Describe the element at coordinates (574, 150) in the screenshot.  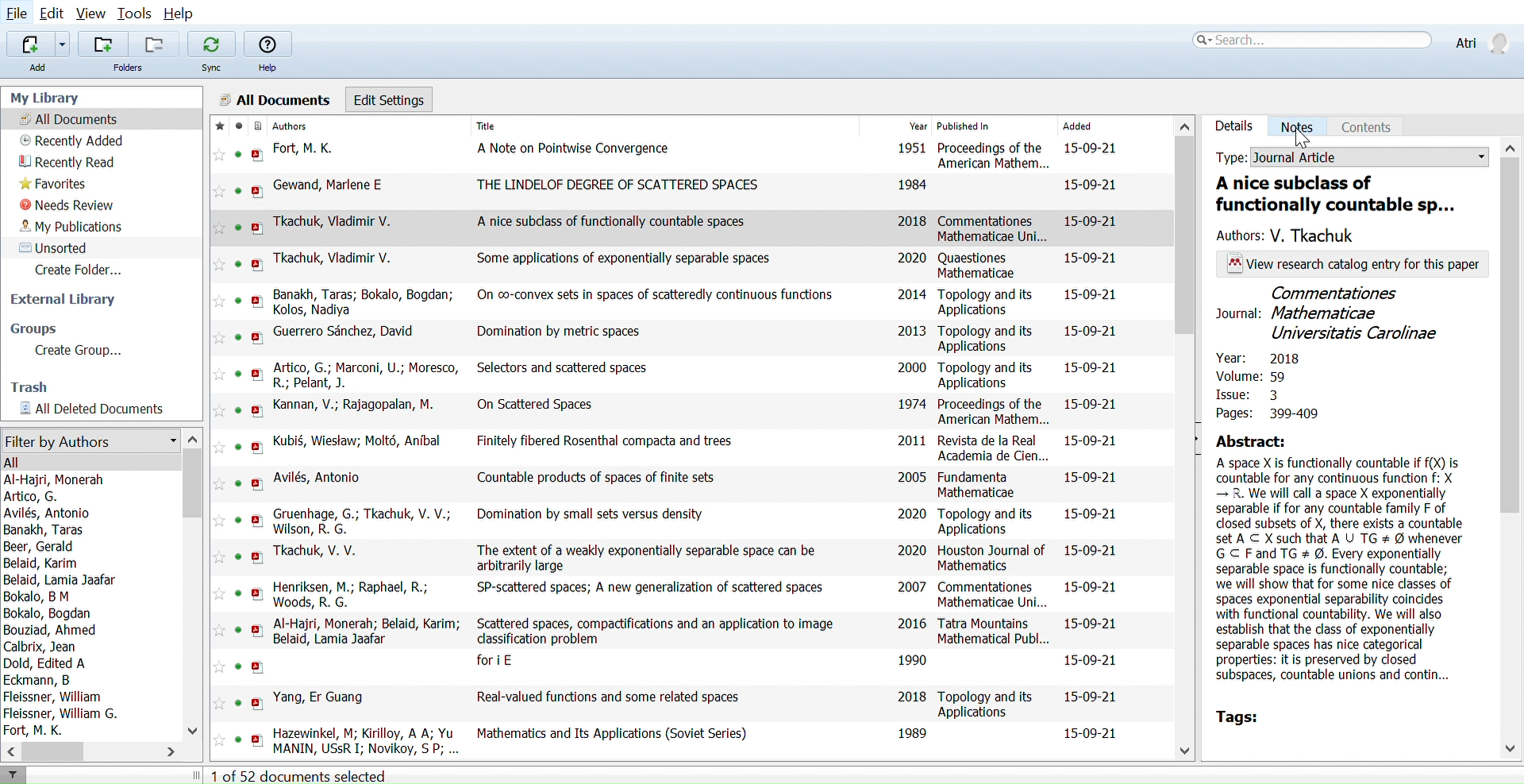
I see `A Note on Pointwise Convergence` at that location.